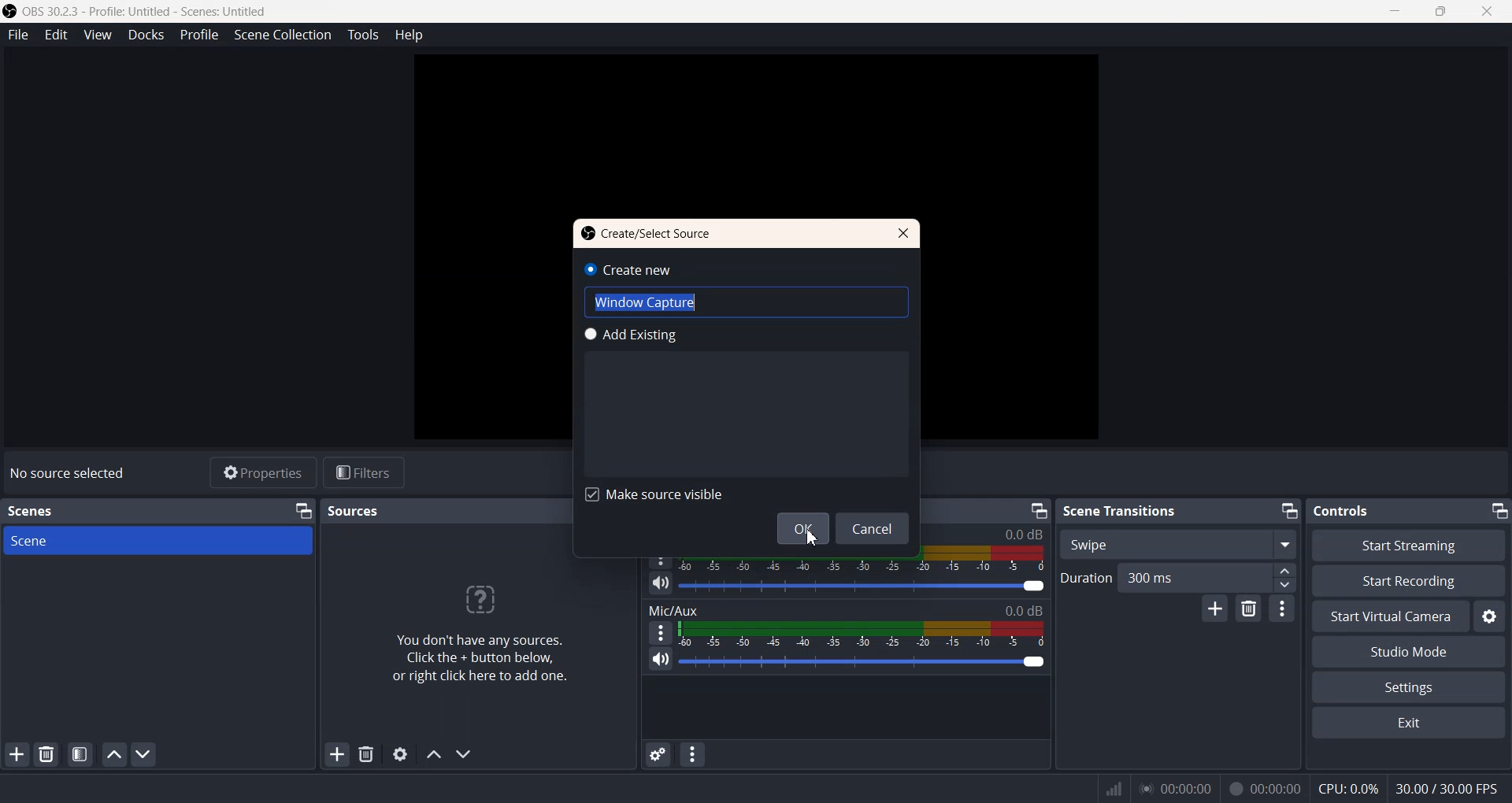 This screenshot has height=803, width=1512. I want to click on Minimize, so click(1499, 511).